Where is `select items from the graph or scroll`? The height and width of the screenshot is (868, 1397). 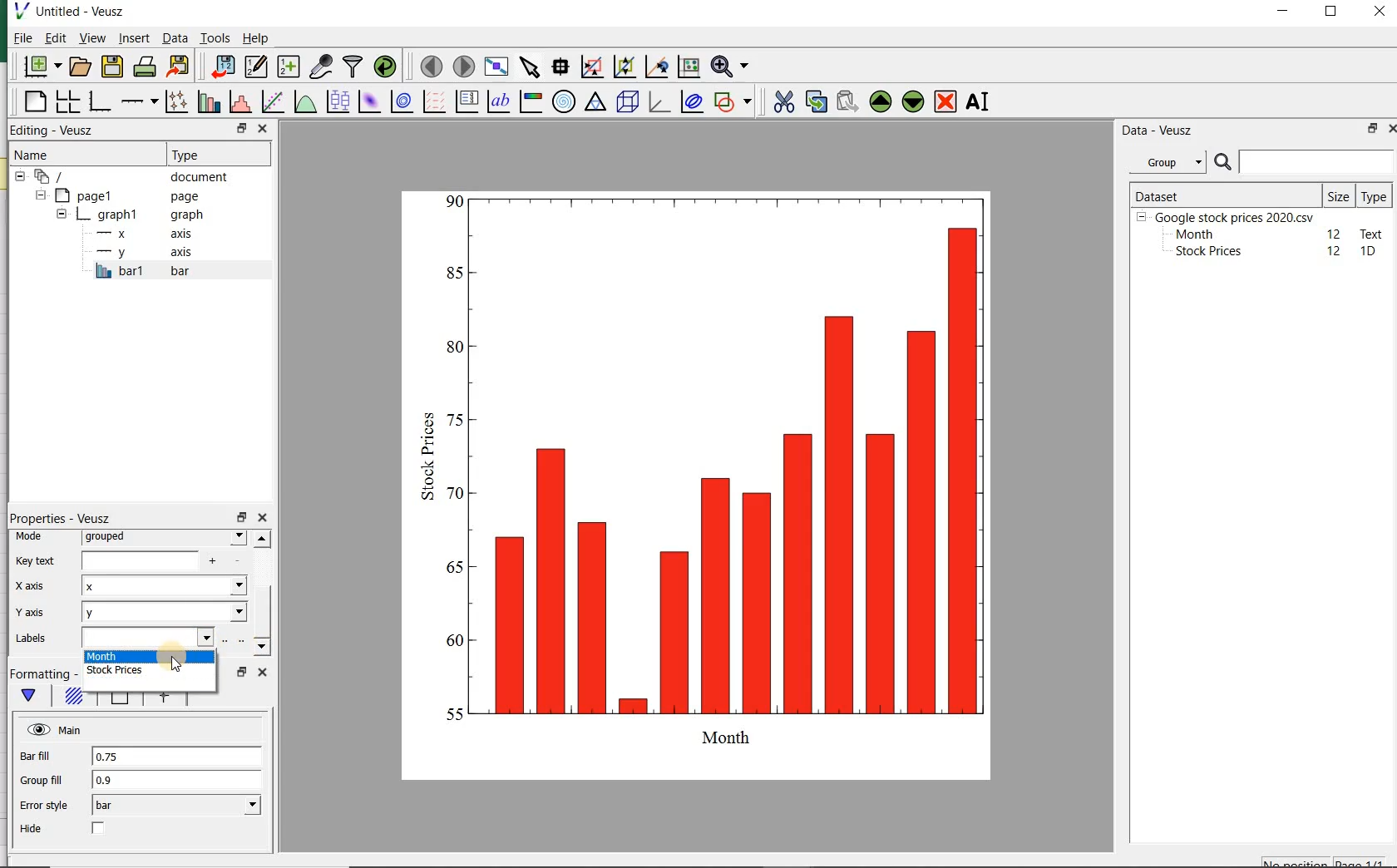
select items from the graph or scroll is located at coordinates (529, 67).